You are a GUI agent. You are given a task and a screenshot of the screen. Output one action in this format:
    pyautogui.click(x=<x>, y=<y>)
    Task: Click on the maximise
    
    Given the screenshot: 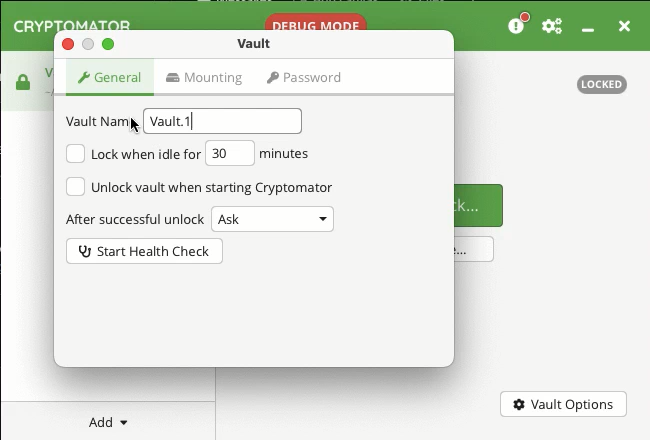 What is the action you would take?
    pyautogui.click(x=108, y=44)
    